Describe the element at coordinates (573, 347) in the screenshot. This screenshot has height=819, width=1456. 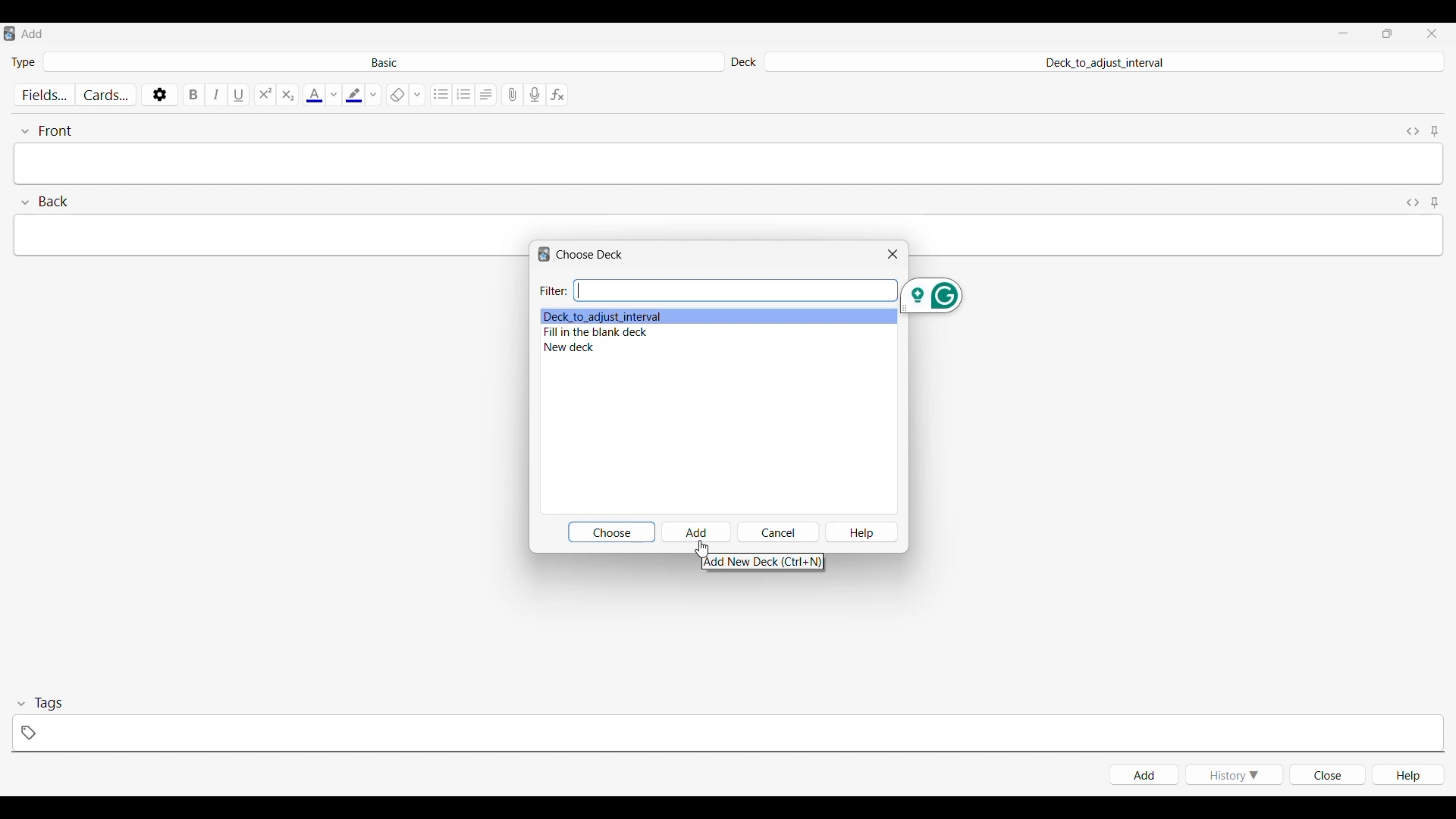
I see `Deck` at that location.